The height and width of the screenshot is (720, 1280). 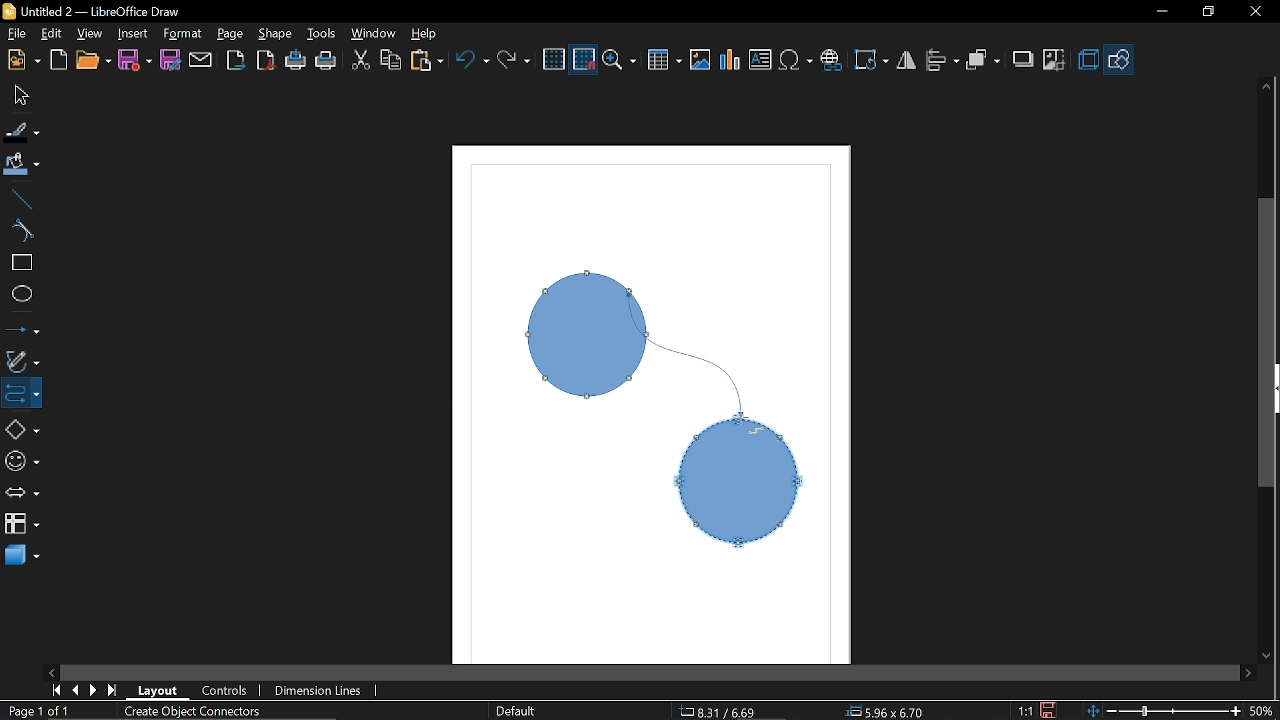 I want to click on Insert hyperlink, so click(x=833, y=61).